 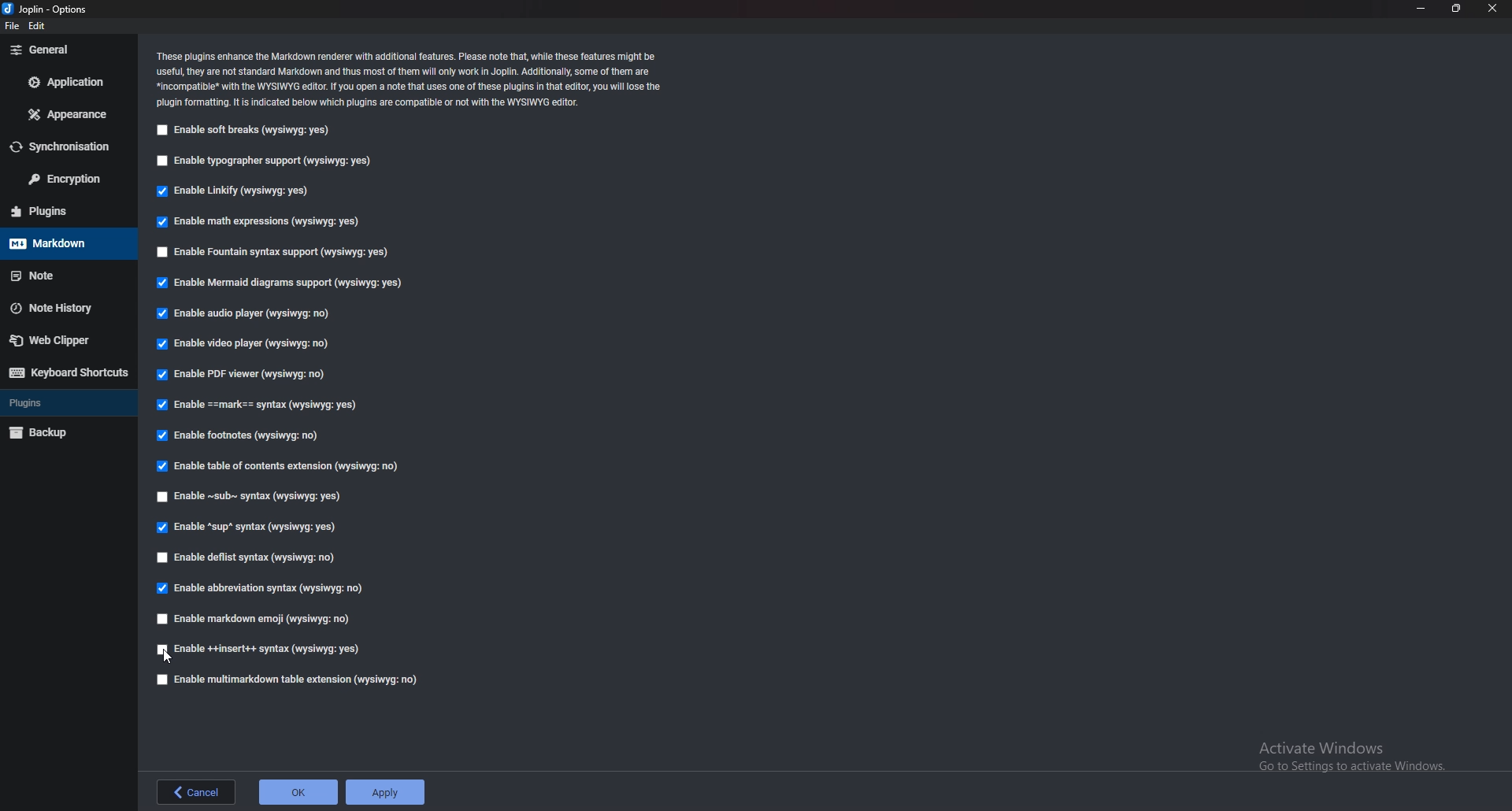 What do you see at coordinates (258, 618) in the screenshot?
I see `Enable markdown emoji (wysiwyg: no)` at bounding box center [258, 618].